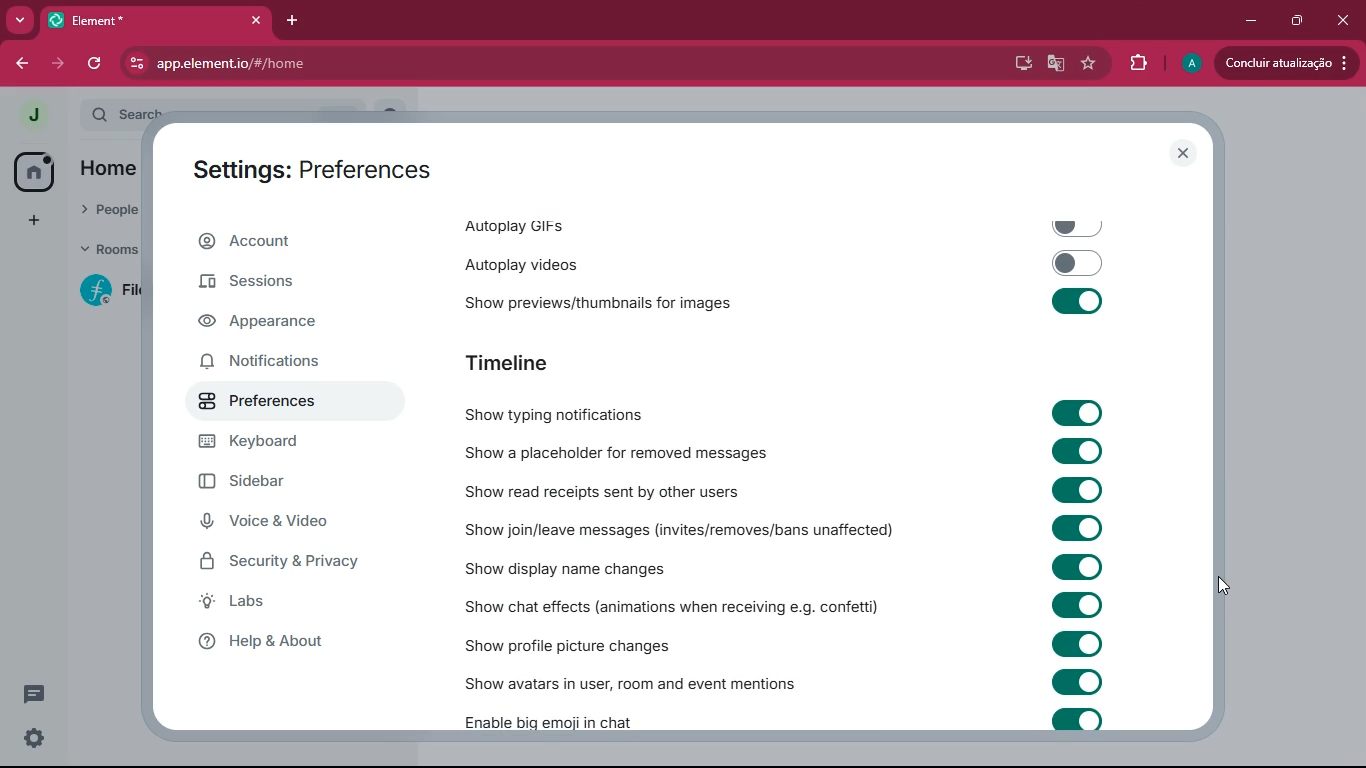 This screenshot has height=768, width=1366. Describe the element at coordinates (776, 266) in the screenshot. I see `autoplay videos` at that location.